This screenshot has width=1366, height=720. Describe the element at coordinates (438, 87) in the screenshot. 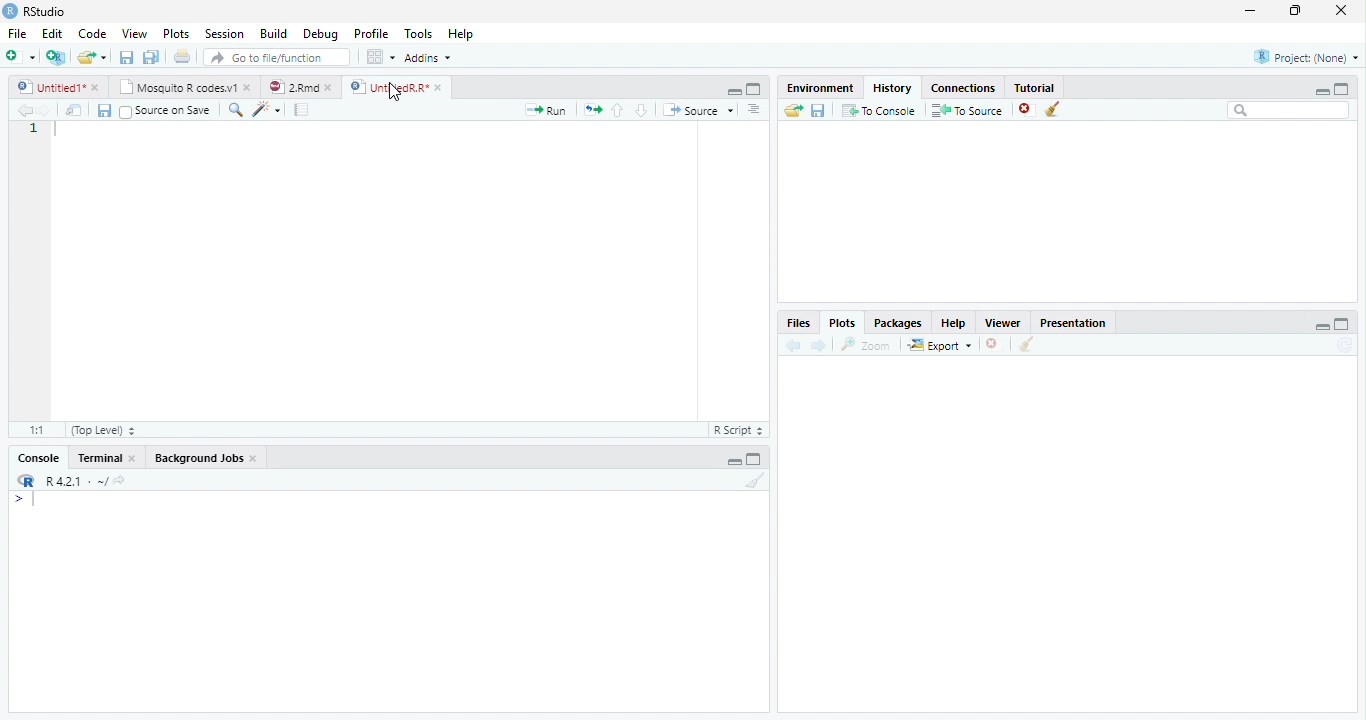

I see `close` at that location.